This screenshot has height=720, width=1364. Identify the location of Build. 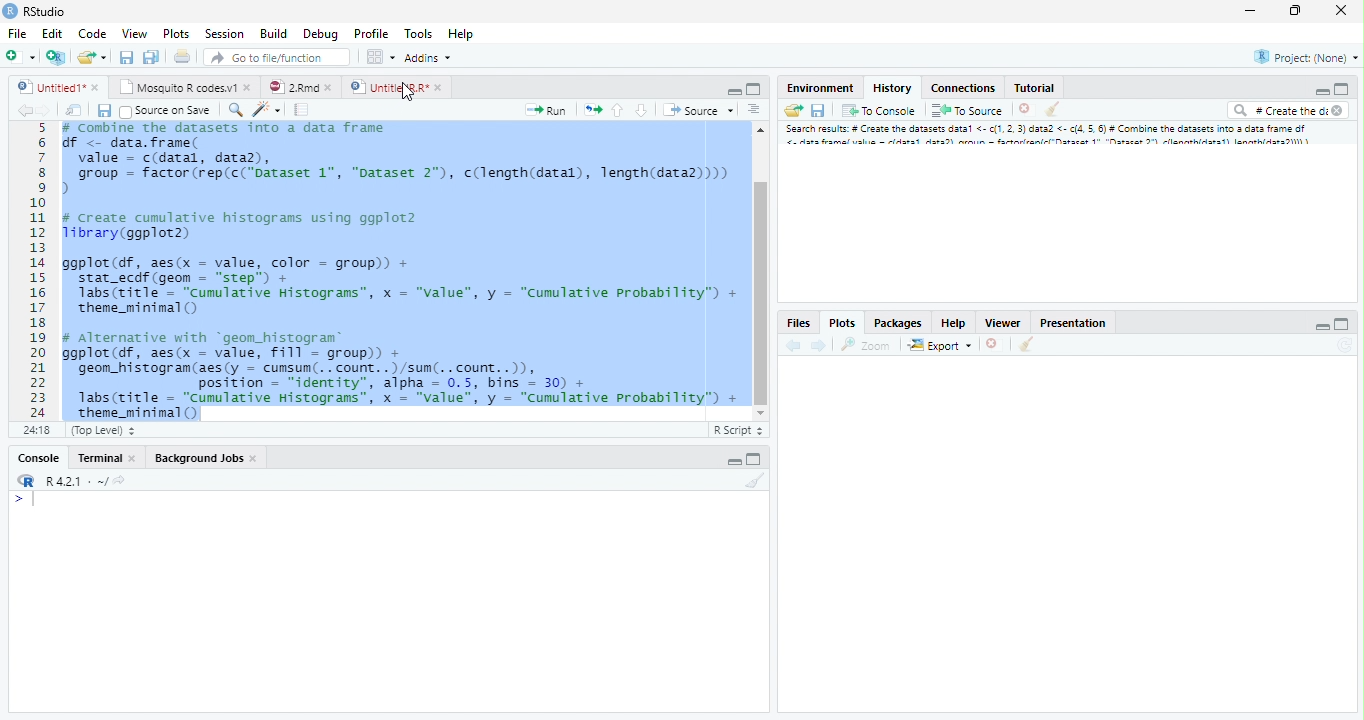
(275, 34).